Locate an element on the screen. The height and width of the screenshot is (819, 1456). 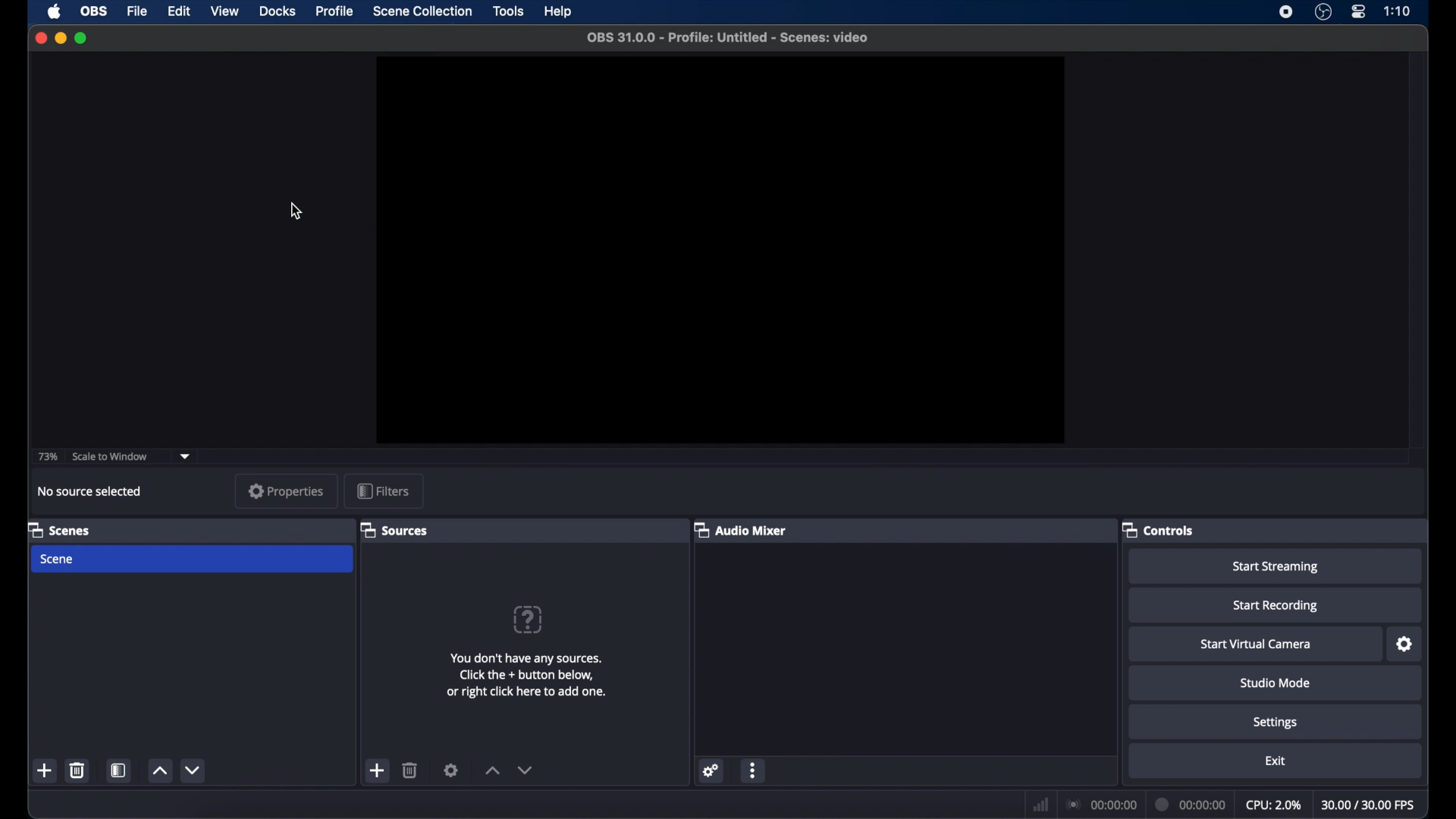
settings is located at coordinates (450, 770).